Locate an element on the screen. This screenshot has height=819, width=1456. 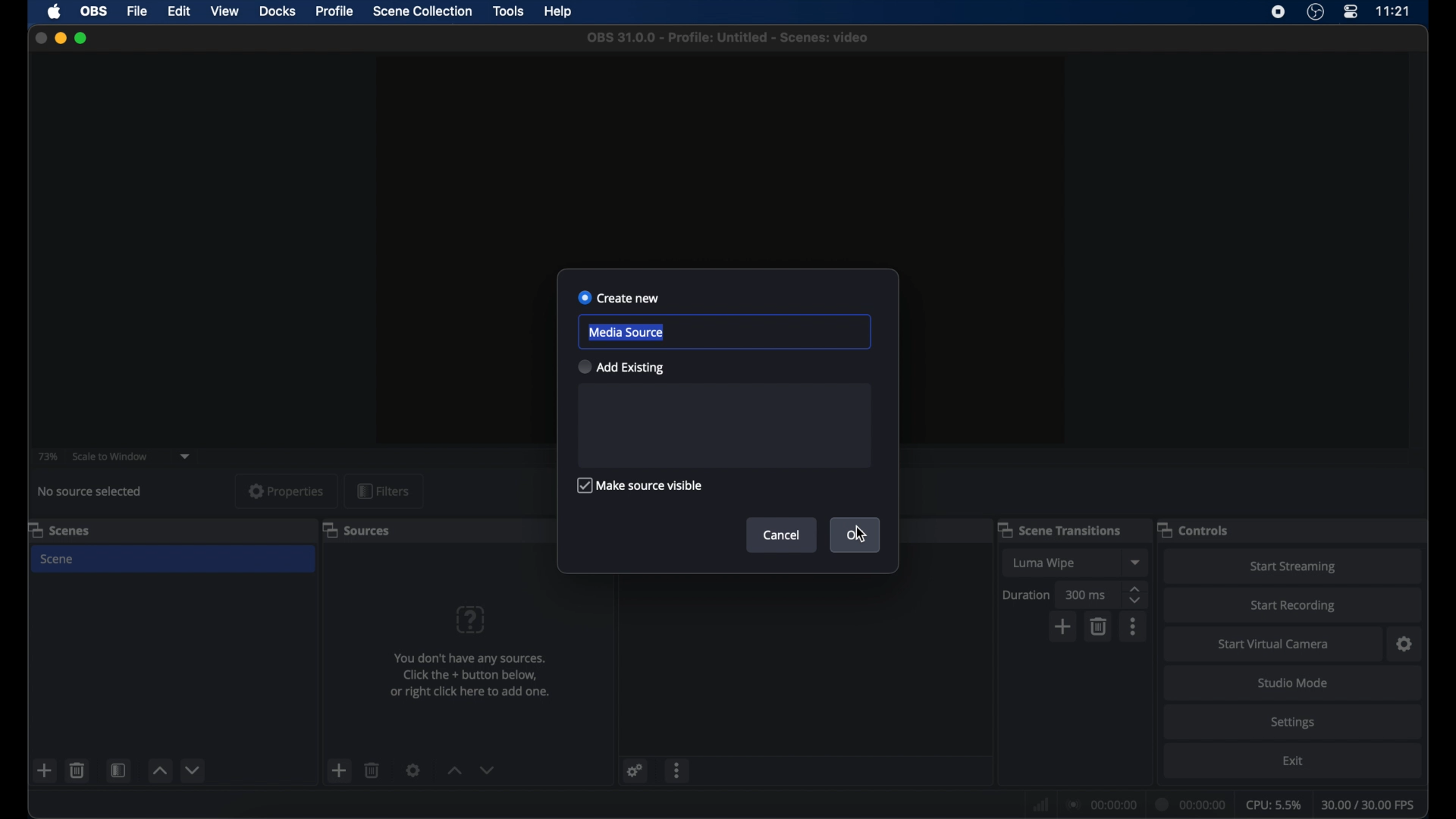
obs studio is located at coordinates (1316, 12).